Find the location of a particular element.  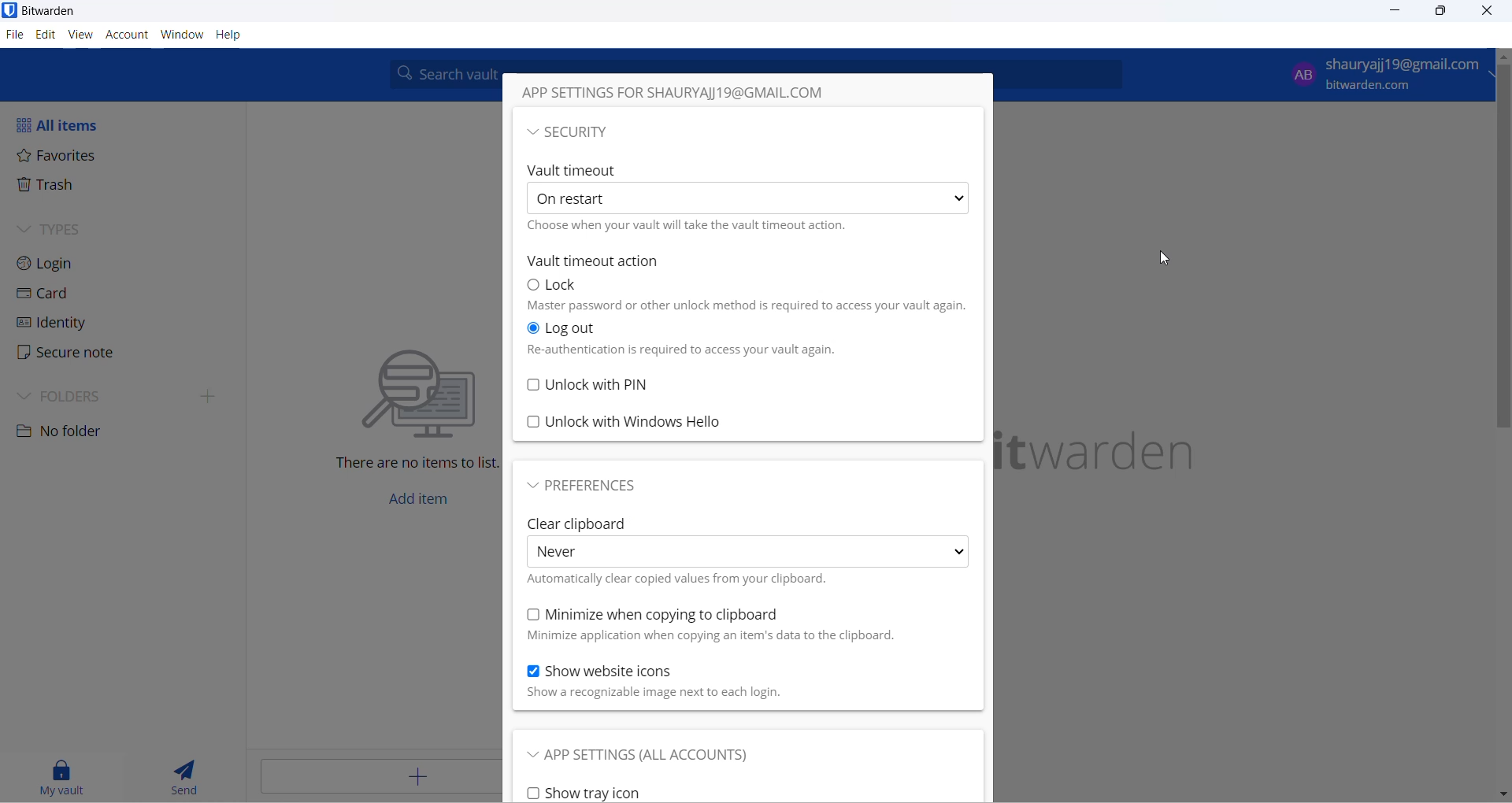

move down is located at coordinates (1503, 794).